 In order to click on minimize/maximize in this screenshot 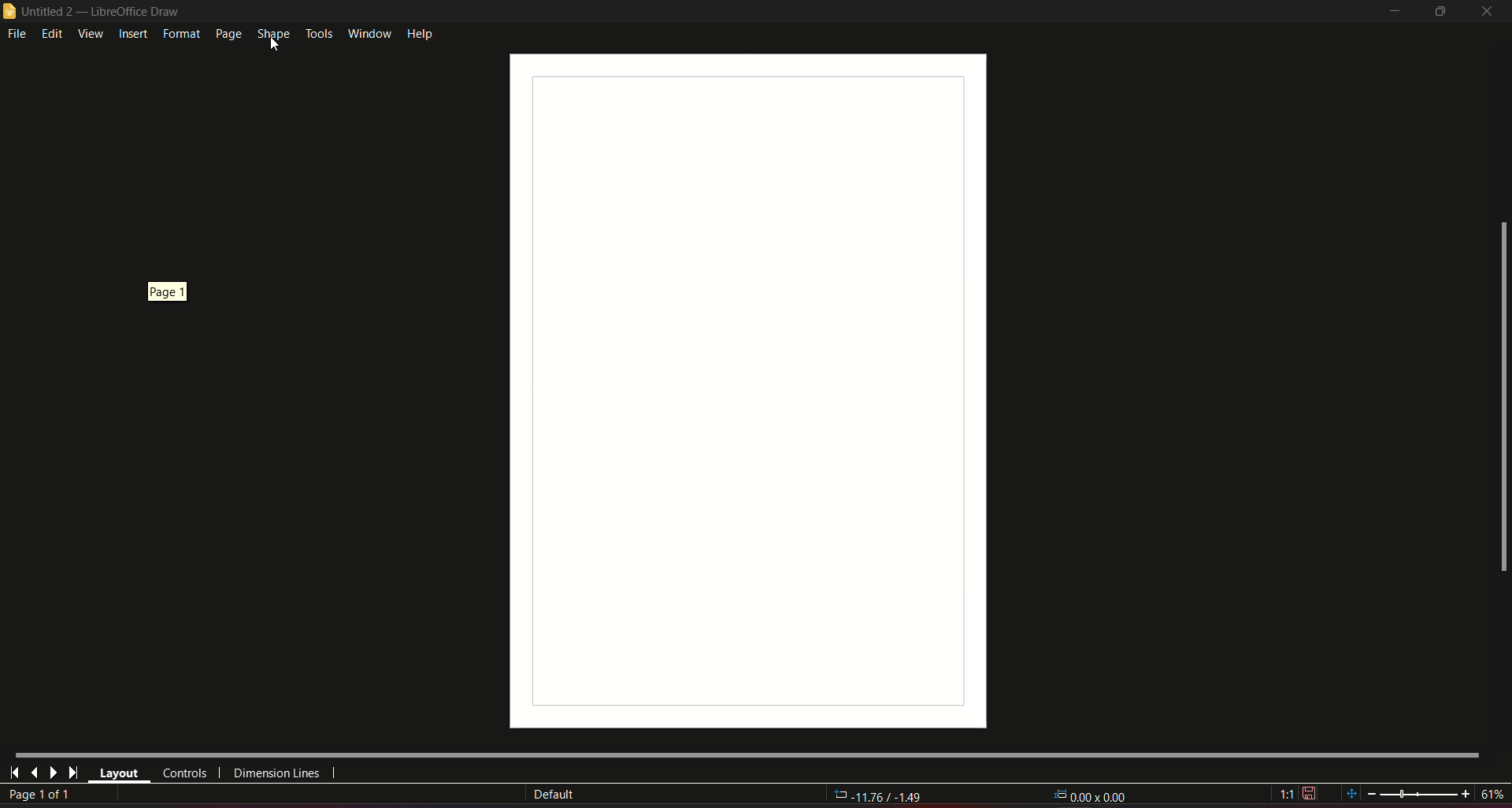, I will do `click(1438, 12)`.